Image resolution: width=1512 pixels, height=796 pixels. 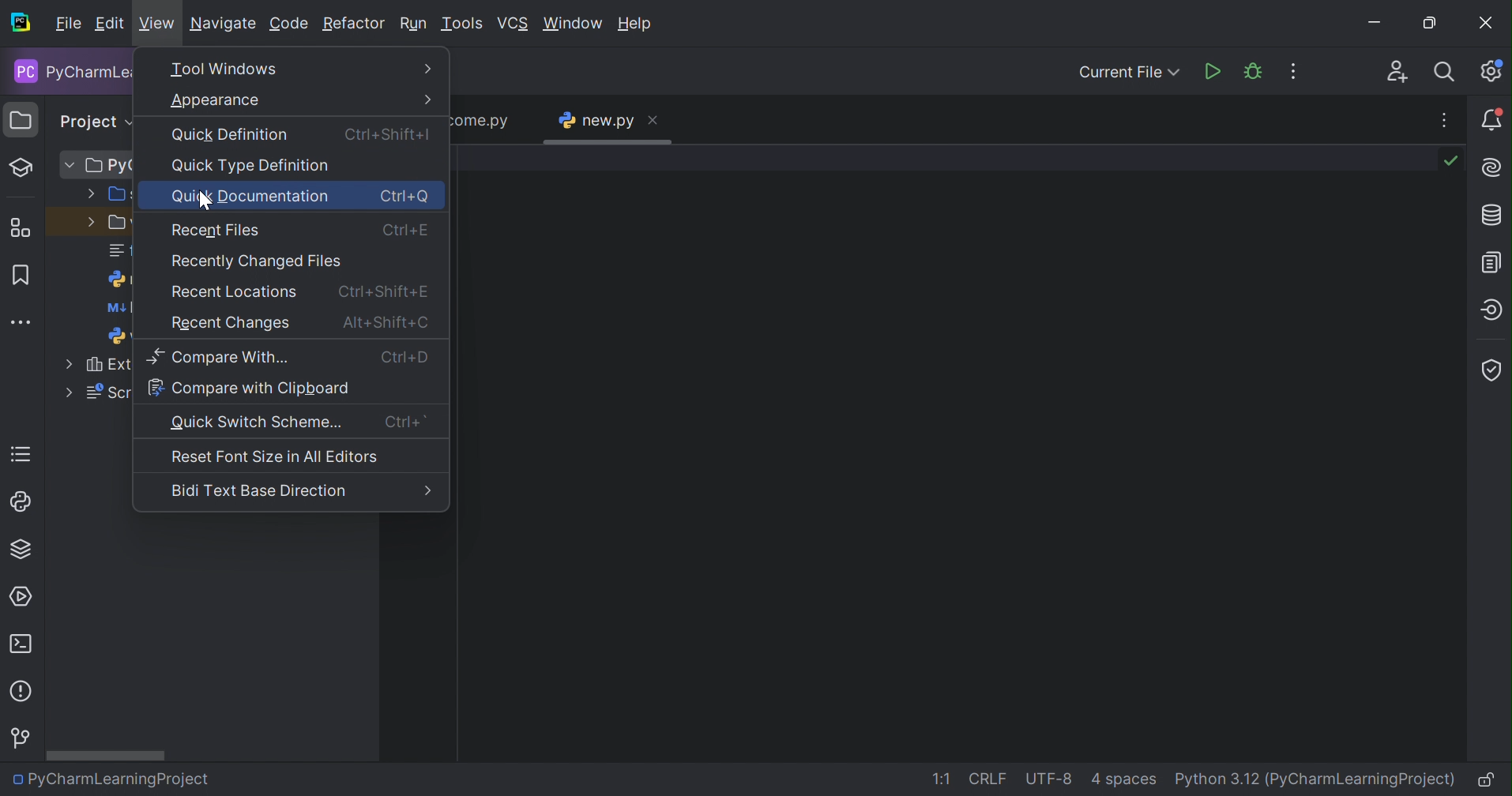 I want to click on Quick Type Definition, so click(x=251, y=165).